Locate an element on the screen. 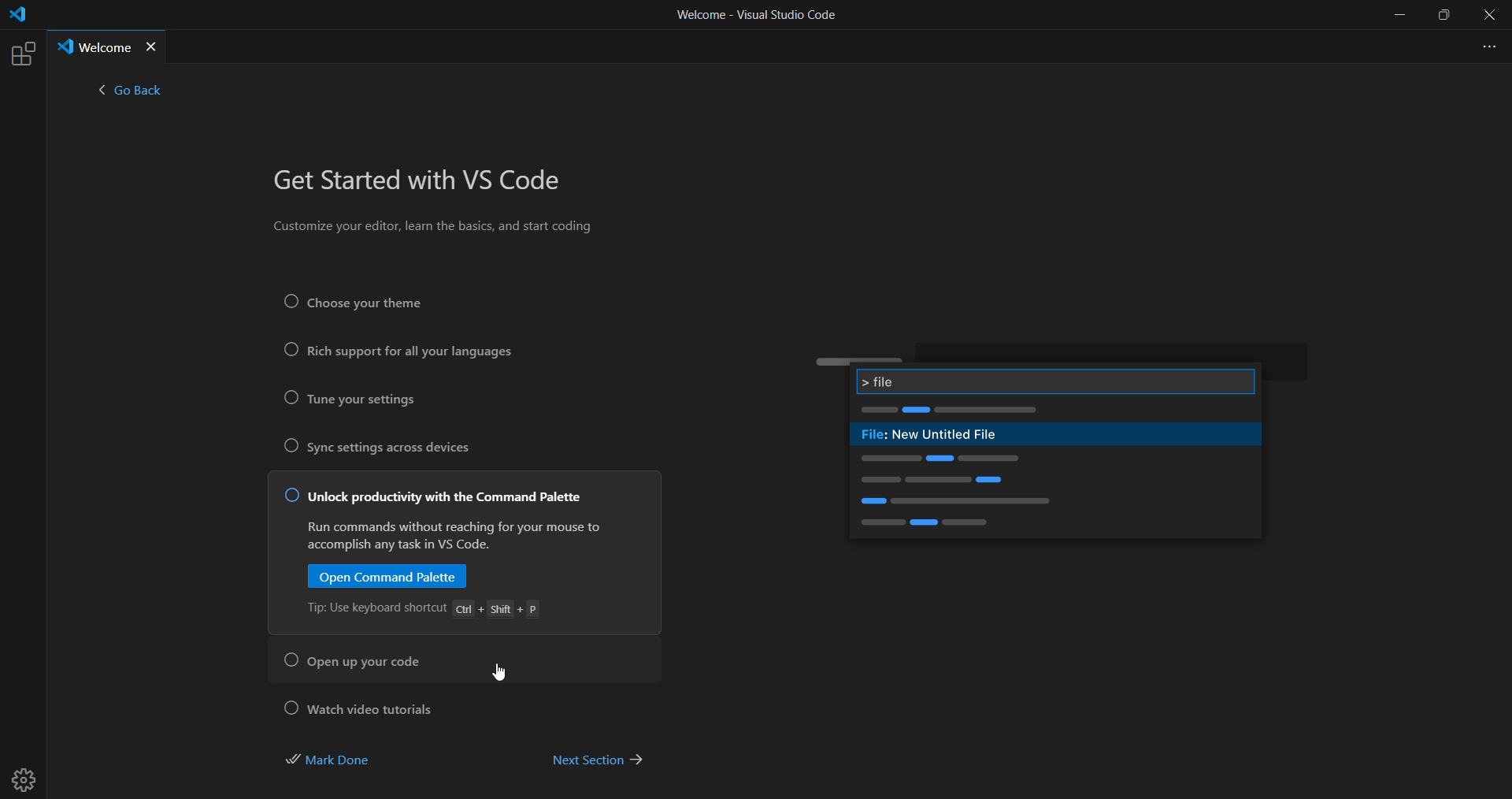 This screenshot has width=1512, height=799. more is located at coordinates (1485, 45).